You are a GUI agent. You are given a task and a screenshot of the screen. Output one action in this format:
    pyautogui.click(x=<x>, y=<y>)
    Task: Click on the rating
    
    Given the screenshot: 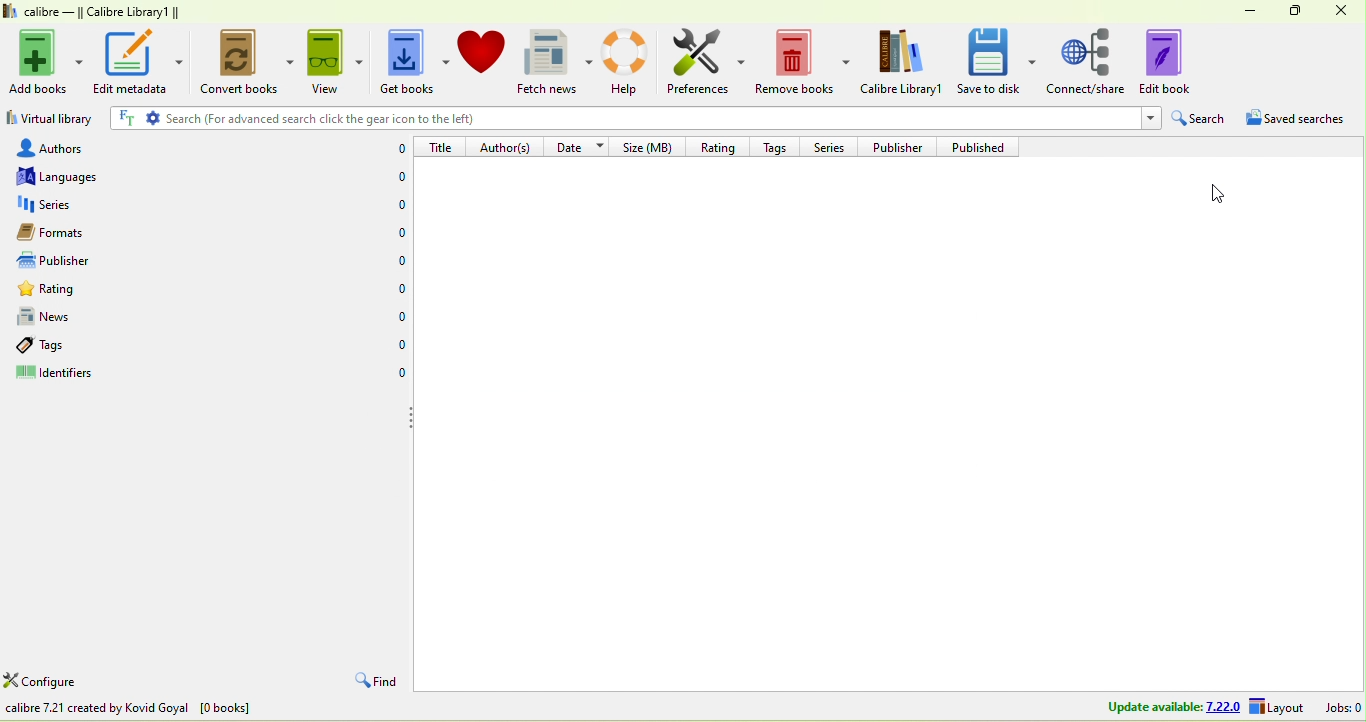 What is the action you would take?
    pyautogui.click(x=716, y=145)
    